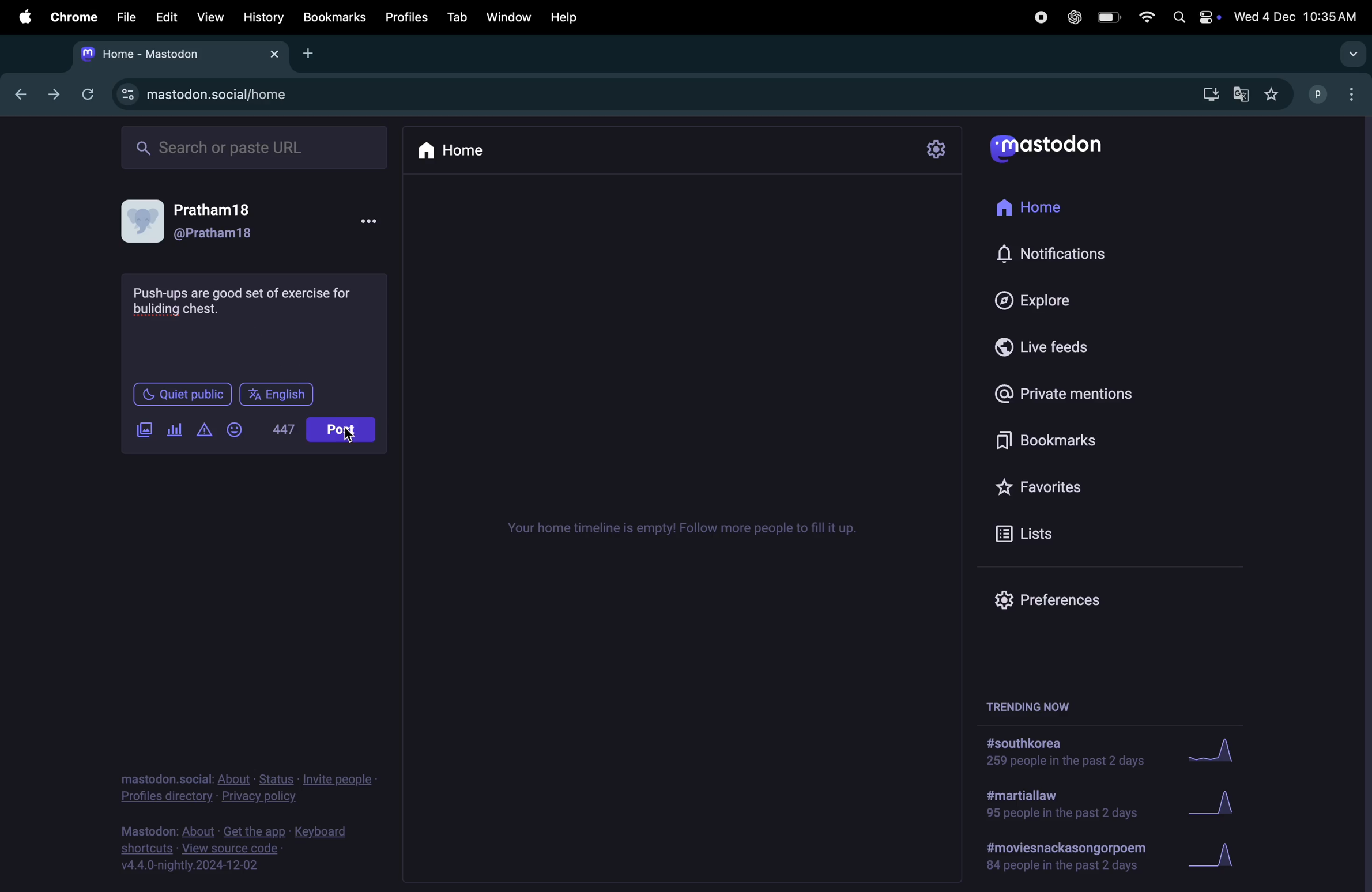  I want to click on apple widgets, so click(1194, 18).